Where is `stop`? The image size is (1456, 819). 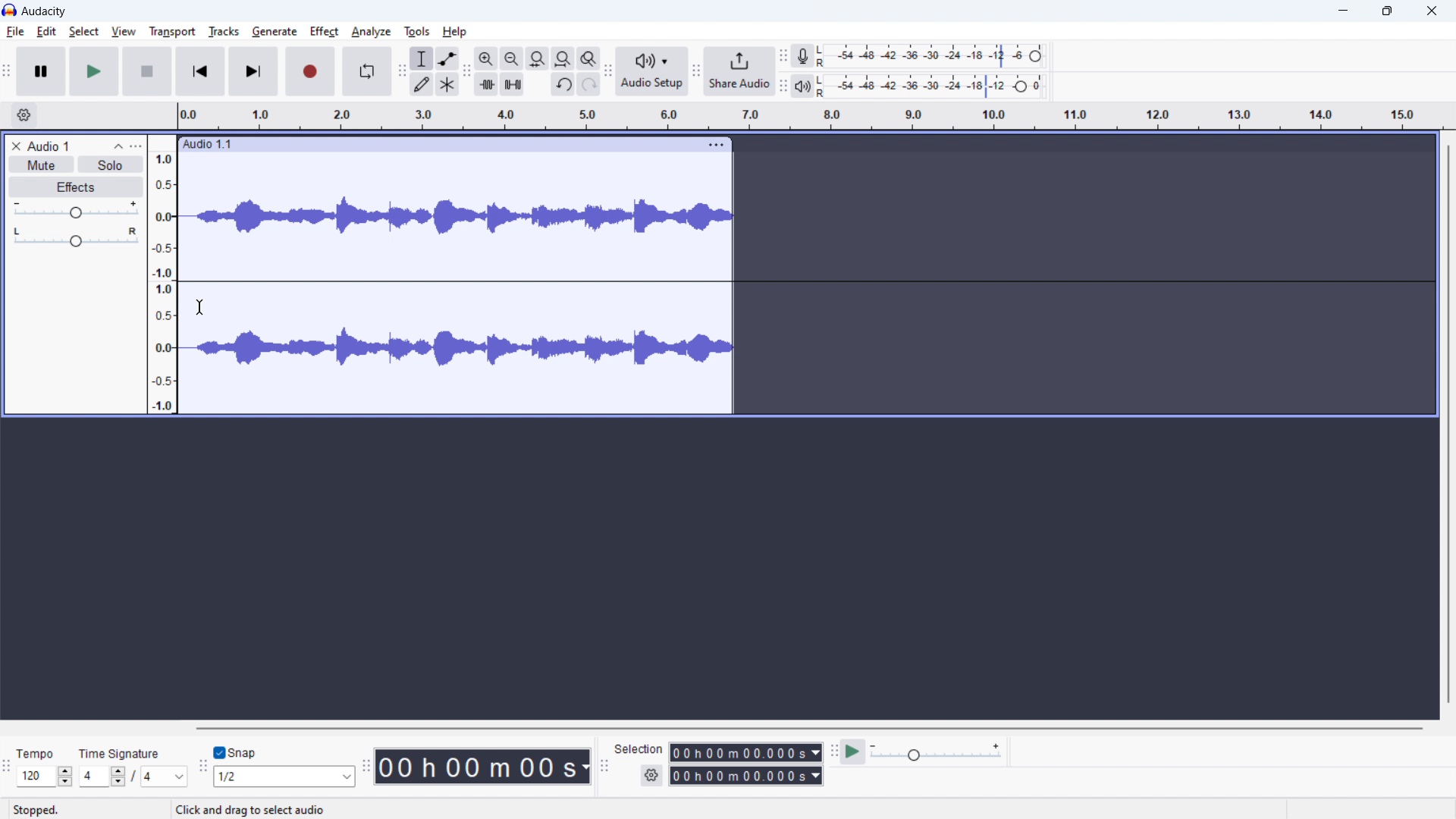
stop is located at coordinates (147, 72).